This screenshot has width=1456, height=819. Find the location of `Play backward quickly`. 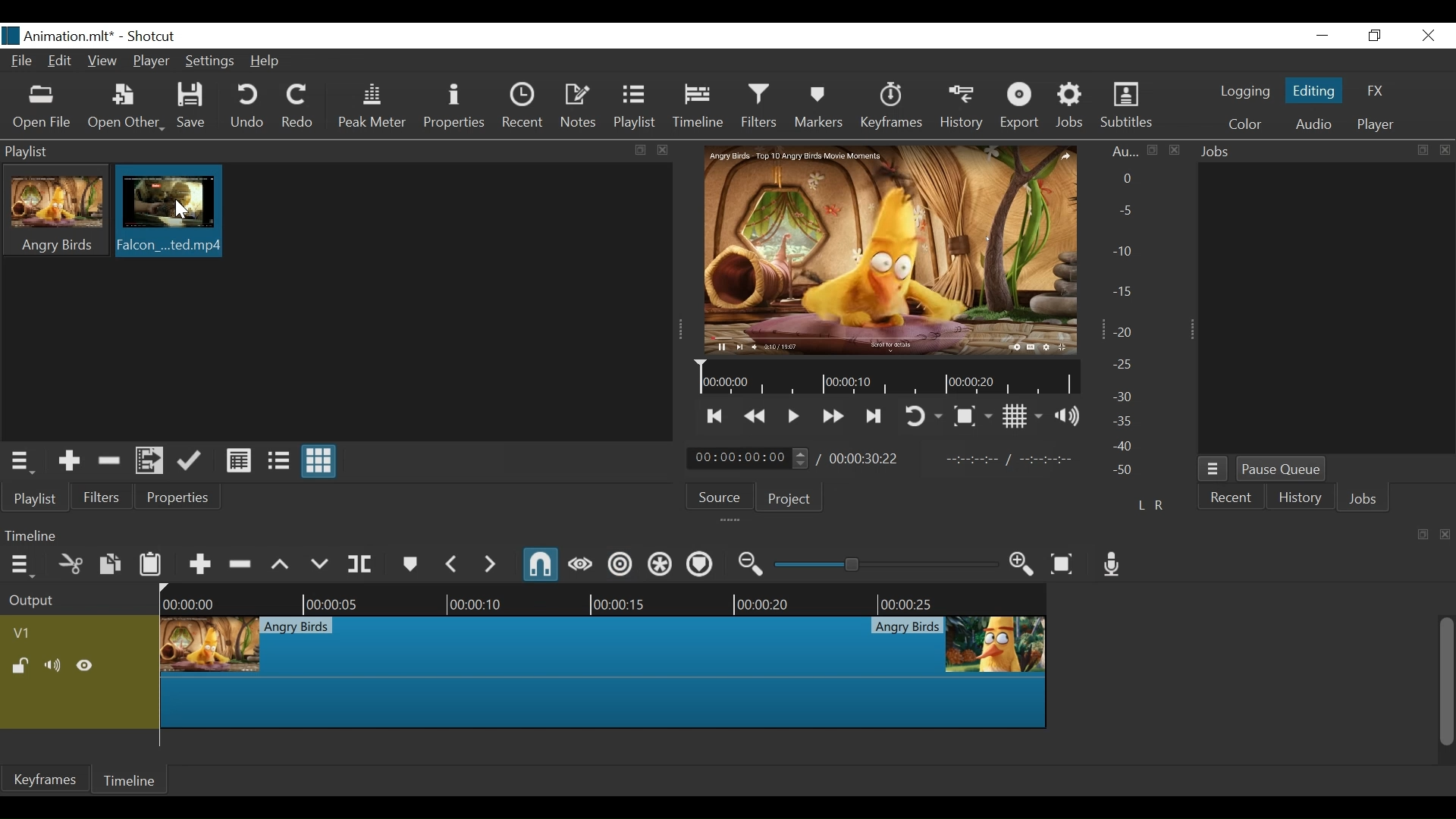

Play backward quickly is located at coordinates (754, 417).